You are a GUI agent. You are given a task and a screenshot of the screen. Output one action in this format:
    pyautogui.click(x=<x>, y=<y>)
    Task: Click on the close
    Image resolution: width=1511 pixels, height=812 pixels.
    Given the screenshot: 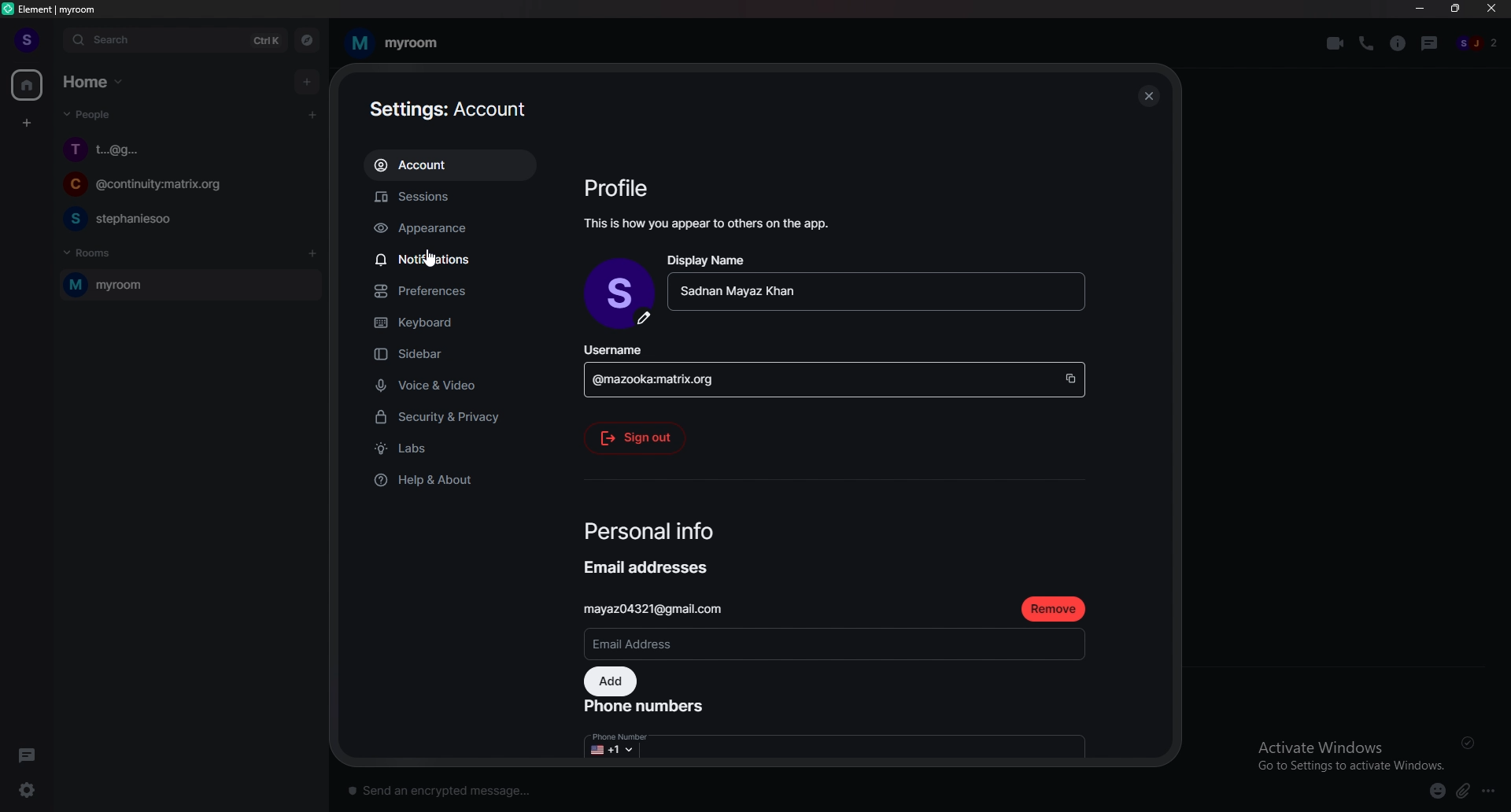 What is the action you would take?
    pyautogui.click(x=1149, y=94)
    